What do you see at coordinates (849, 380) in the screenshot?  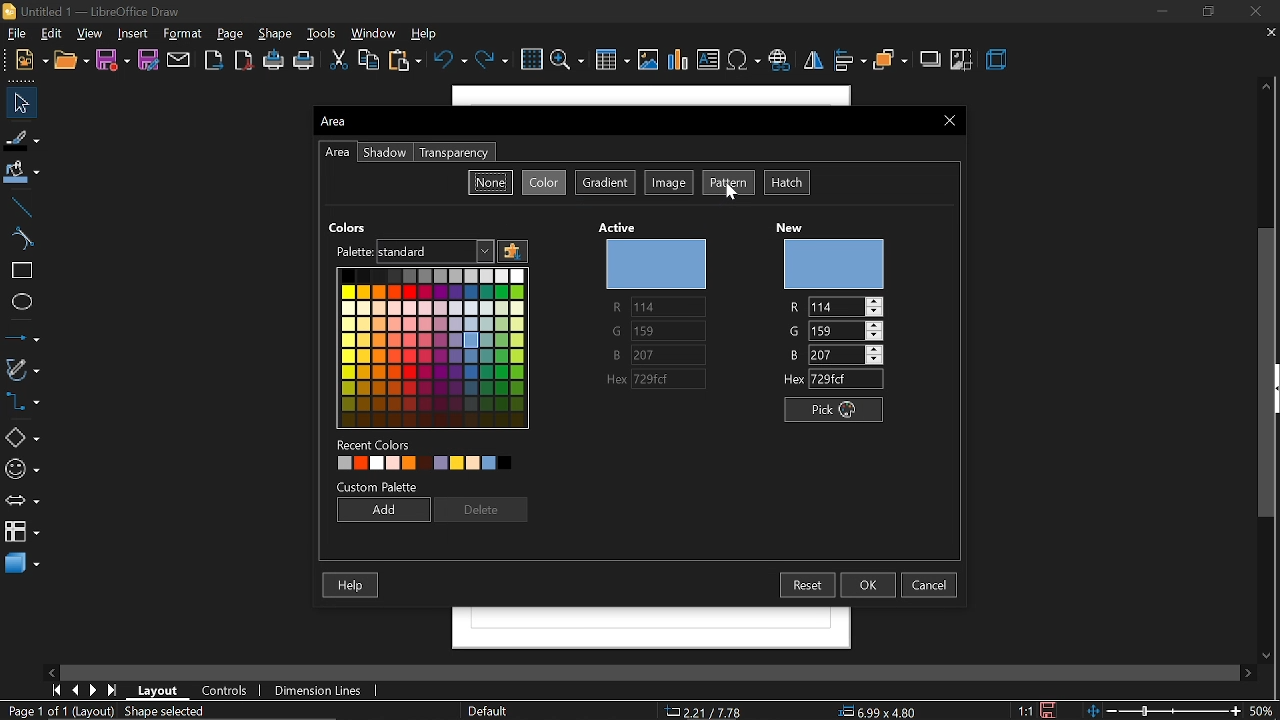 I see `729fcf` at bounding box center [849, 380].